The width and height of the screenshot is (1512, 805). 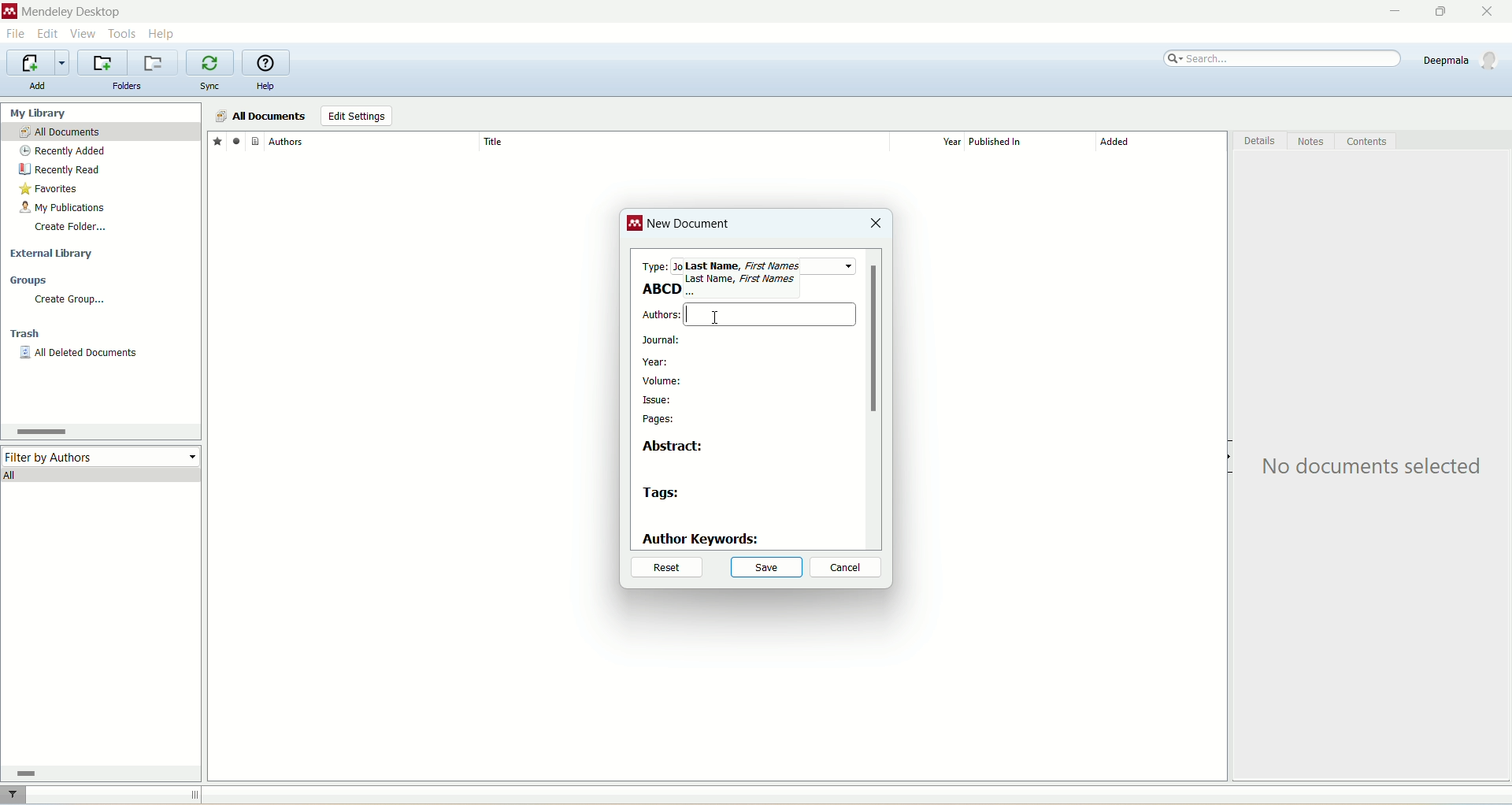 I want to click on close, so click(x=875, y=224).